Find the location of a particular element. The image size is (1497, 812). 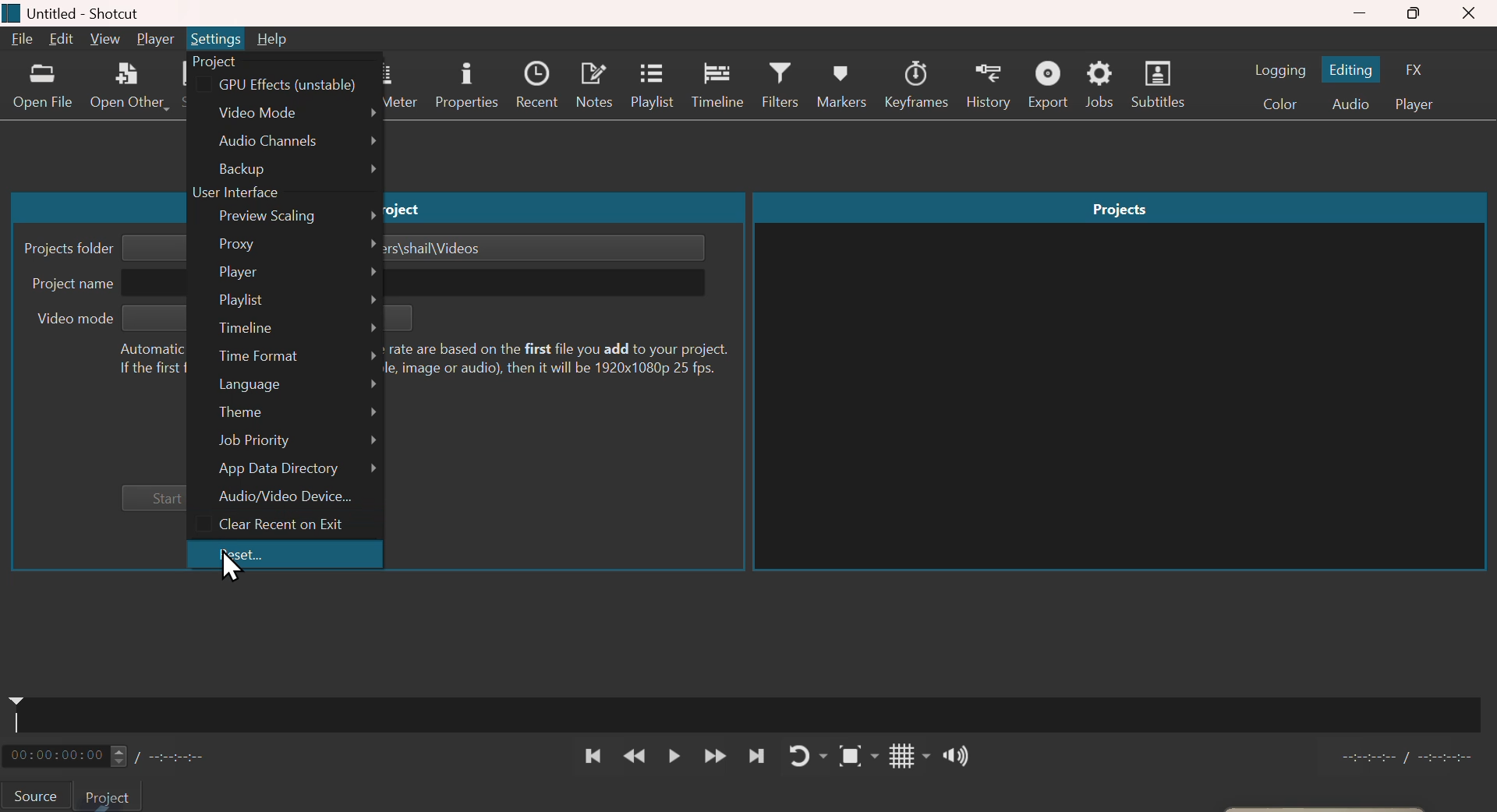

Timeline is located at coordinates (723, 86).